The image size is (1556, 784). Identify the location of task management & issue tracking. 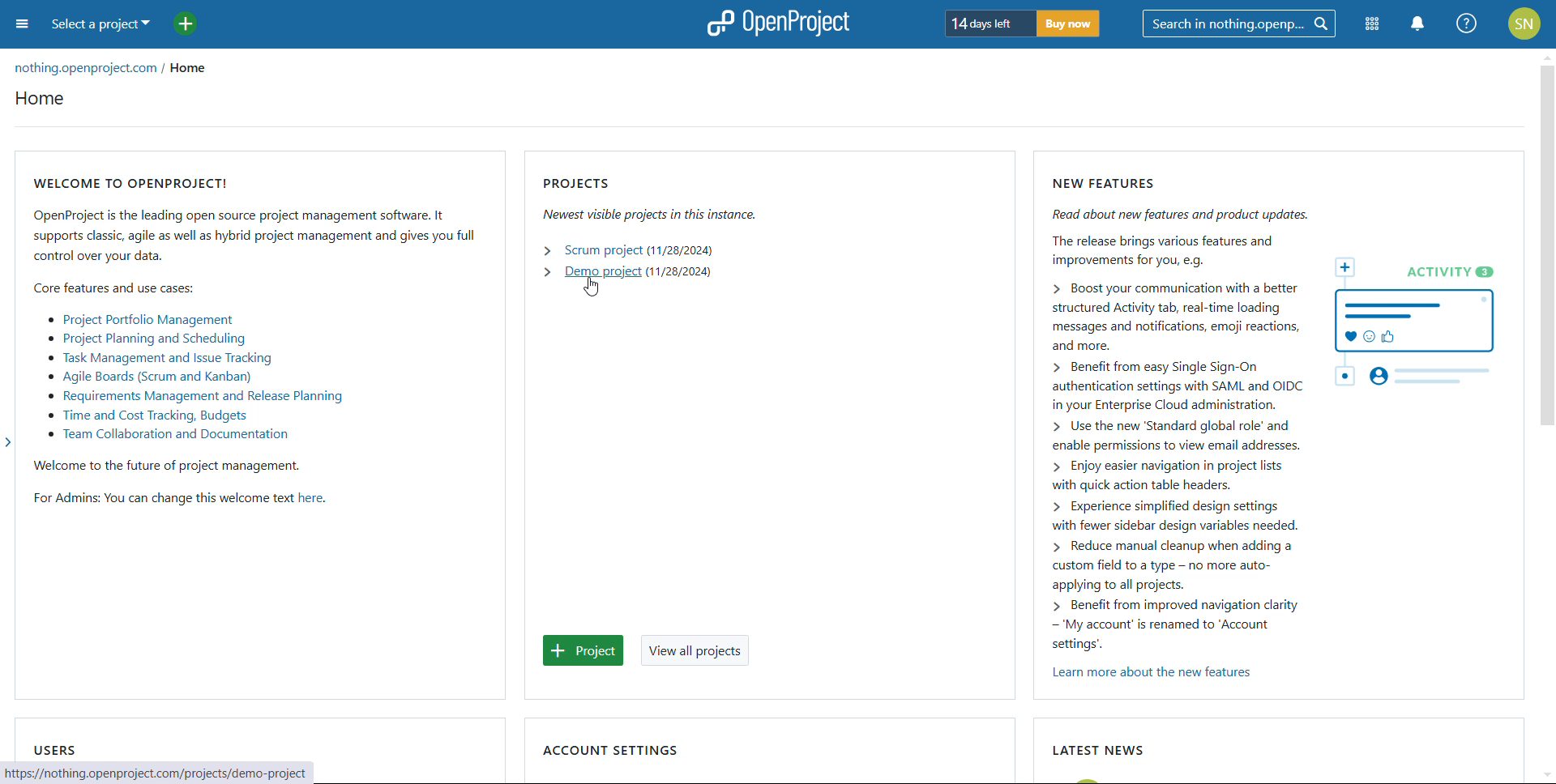
(157, 357).